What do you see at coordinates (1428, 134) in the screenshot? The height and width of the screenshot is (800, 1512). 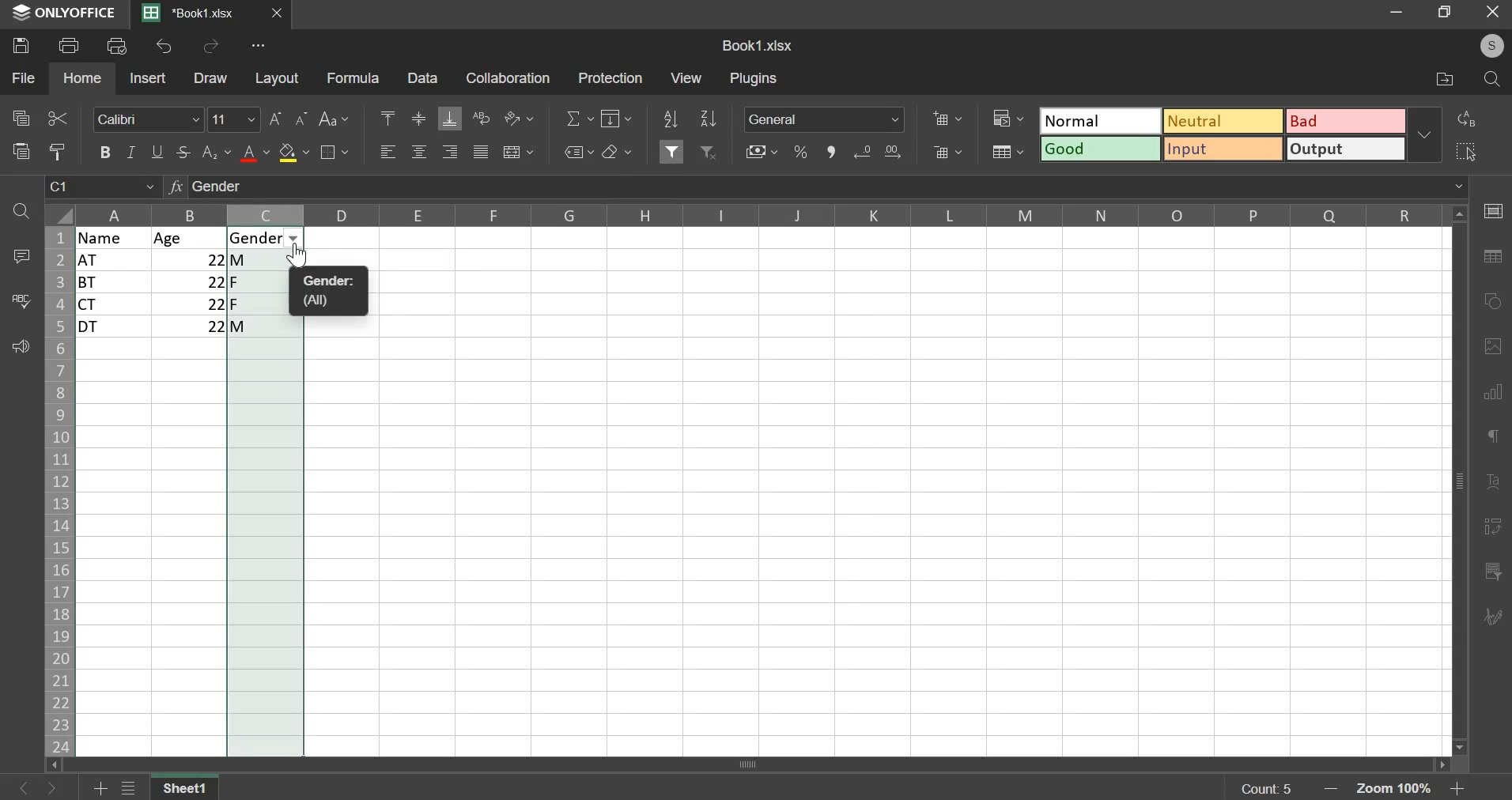 I see `more` at bounding box center [1428, 134].